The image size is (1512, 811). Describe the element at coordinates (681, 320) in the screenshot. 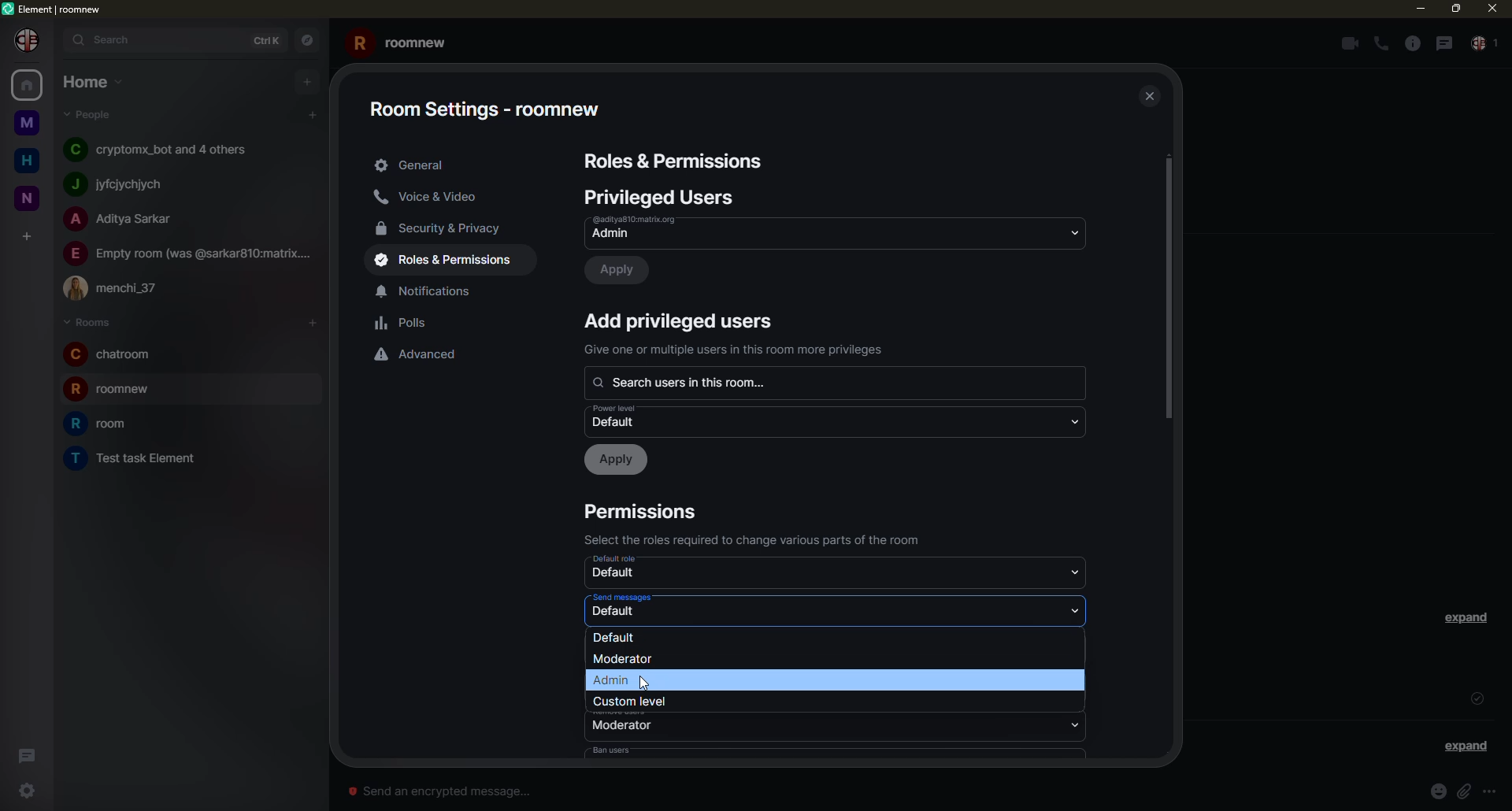

I see `add` at that location.